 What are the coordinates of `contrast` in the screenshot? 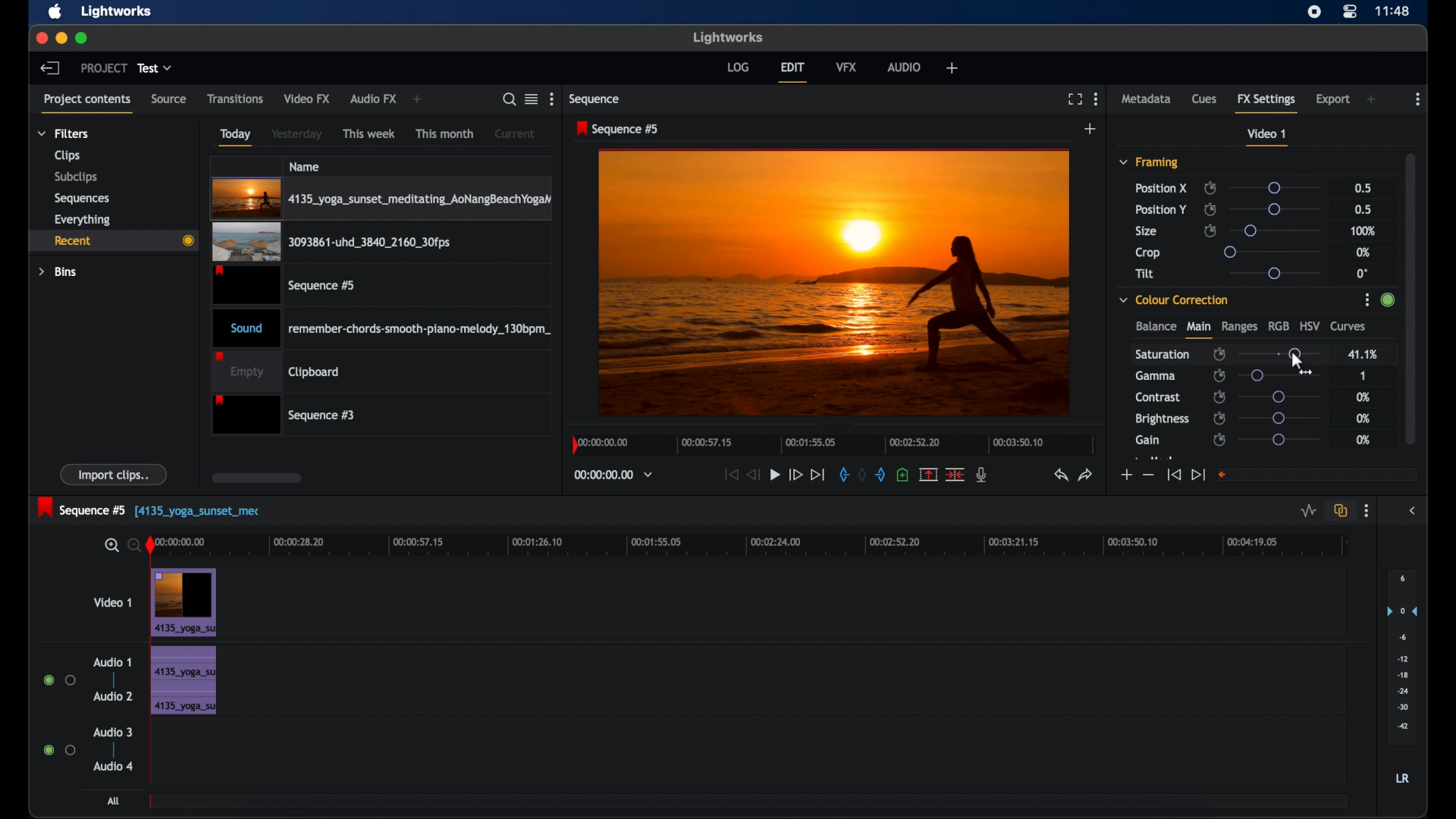 It's located at (1159, 398).